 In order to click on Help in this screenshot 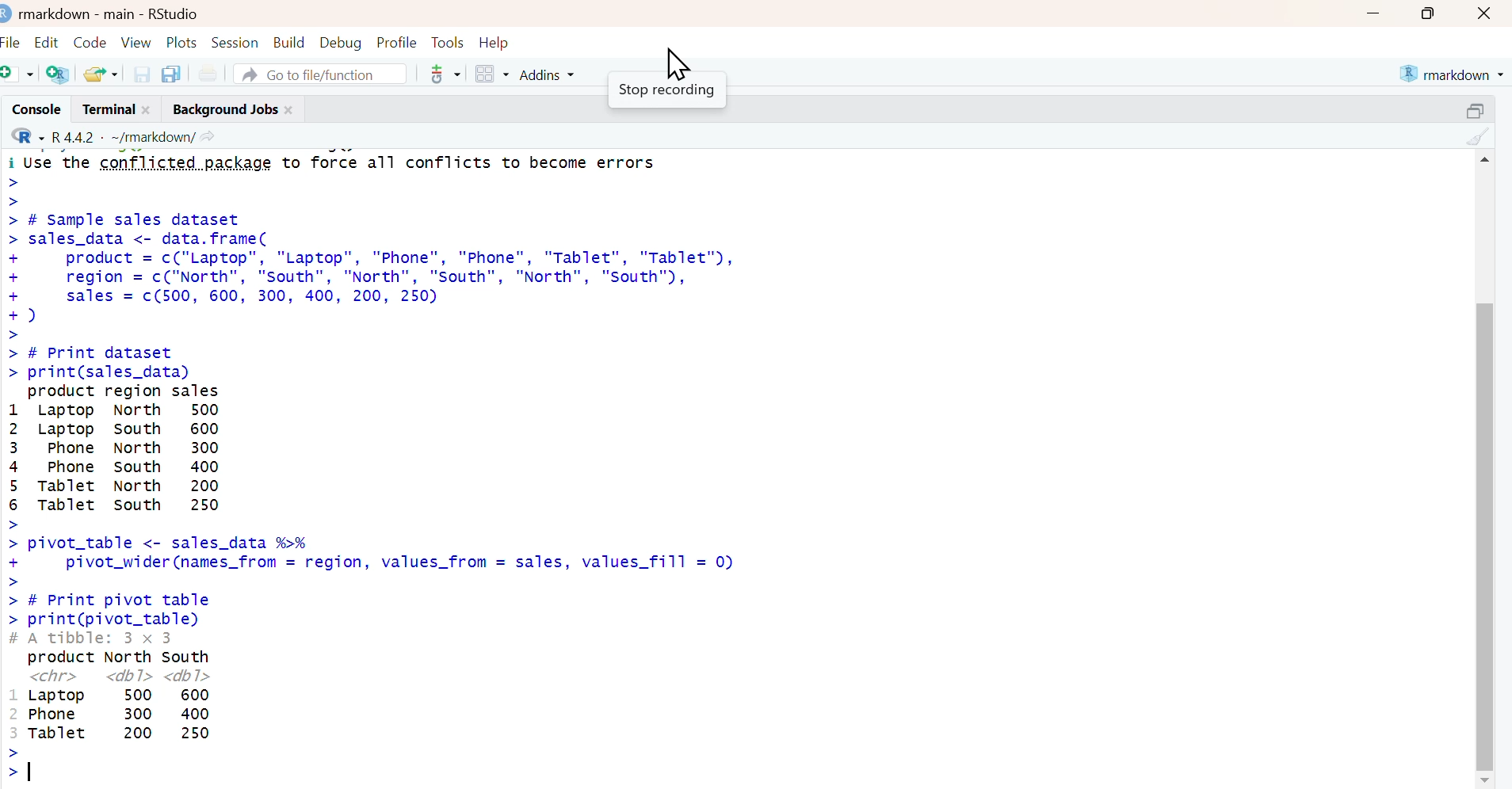, I will do `click(499, 41)`.